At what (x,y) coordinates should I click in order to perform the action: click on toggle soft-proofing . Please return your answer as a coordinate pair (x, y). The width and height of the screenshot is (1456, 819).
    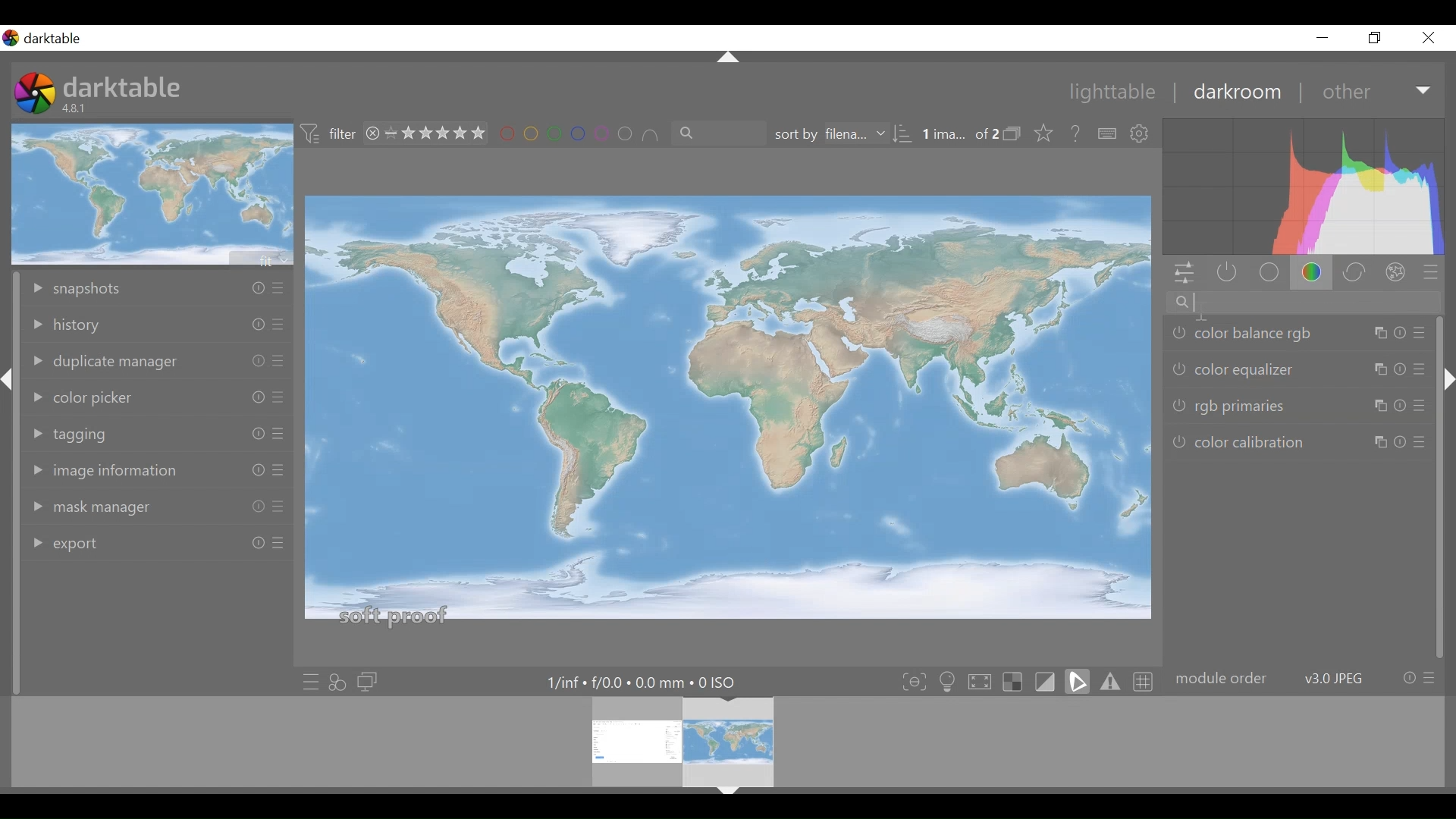
    Looking at the image, I should click on (1078, 681).